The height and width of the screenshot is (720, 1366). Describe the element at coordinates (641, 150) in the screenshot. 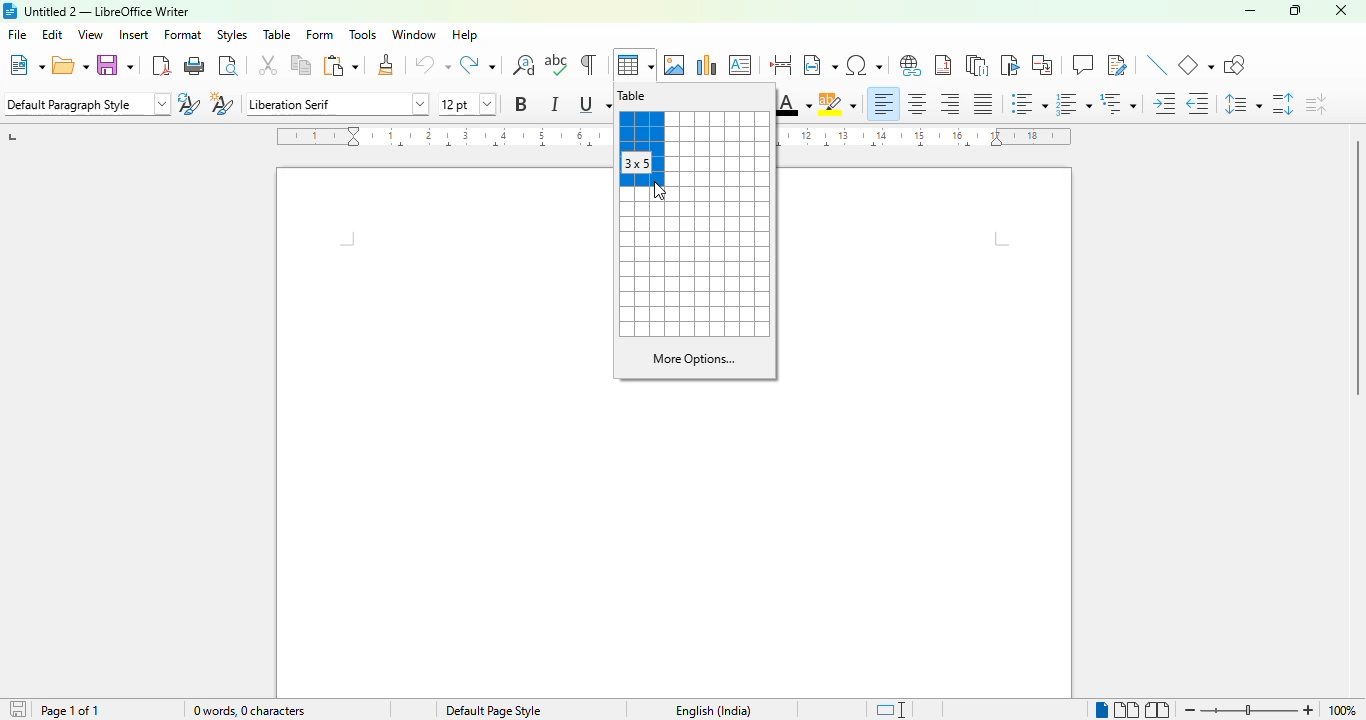

I see `5 rows, 3 columns preview` at that location.